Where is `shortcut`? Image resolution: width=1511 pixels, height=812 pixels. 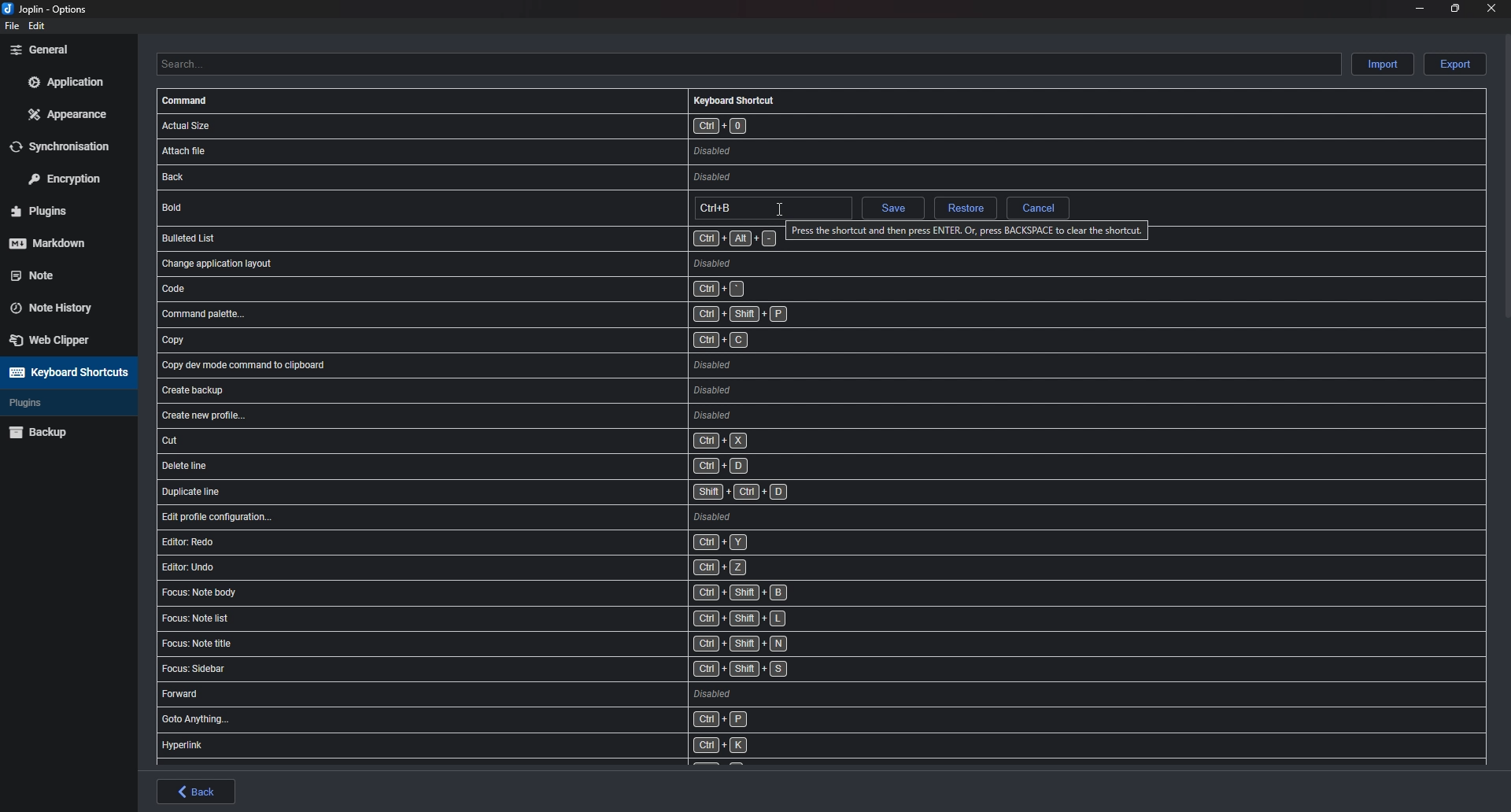 shortcut is located at coordinates (468, 237).